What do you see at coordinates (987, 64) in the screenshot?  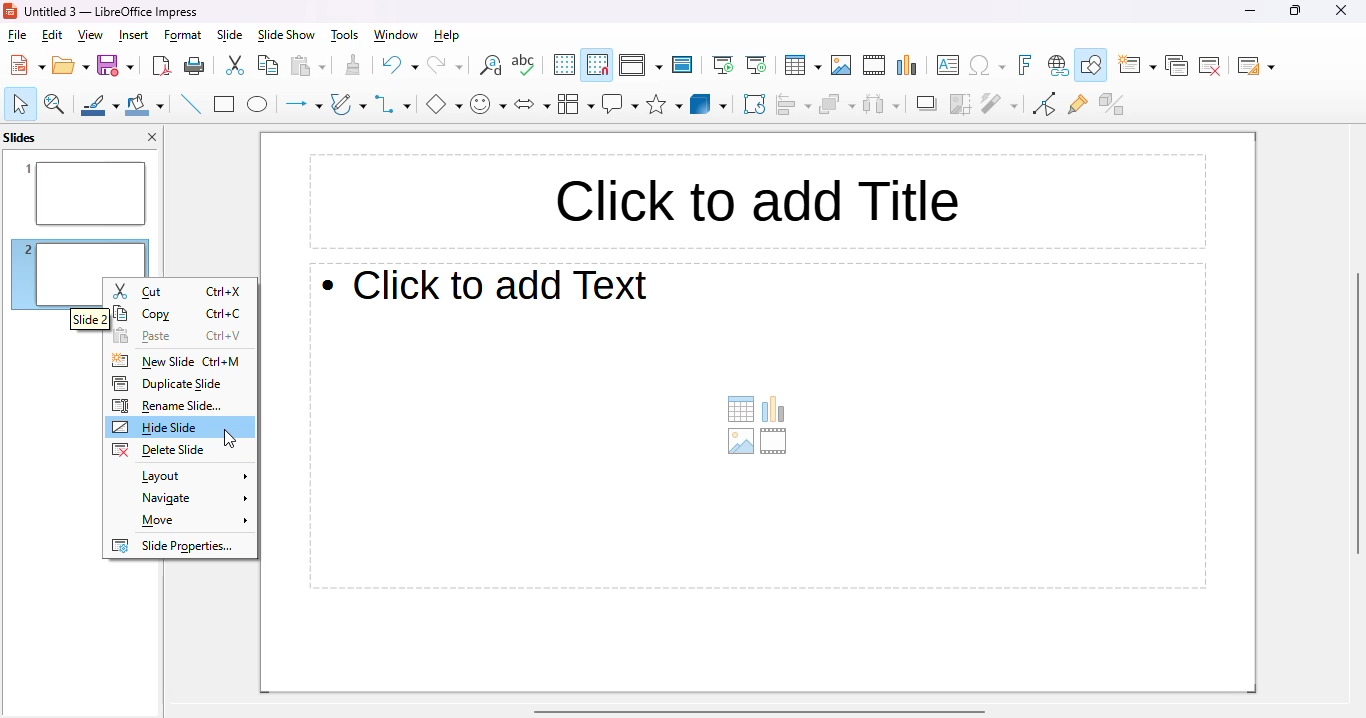 I see `insert special characters` at bounding box center [987, 64].